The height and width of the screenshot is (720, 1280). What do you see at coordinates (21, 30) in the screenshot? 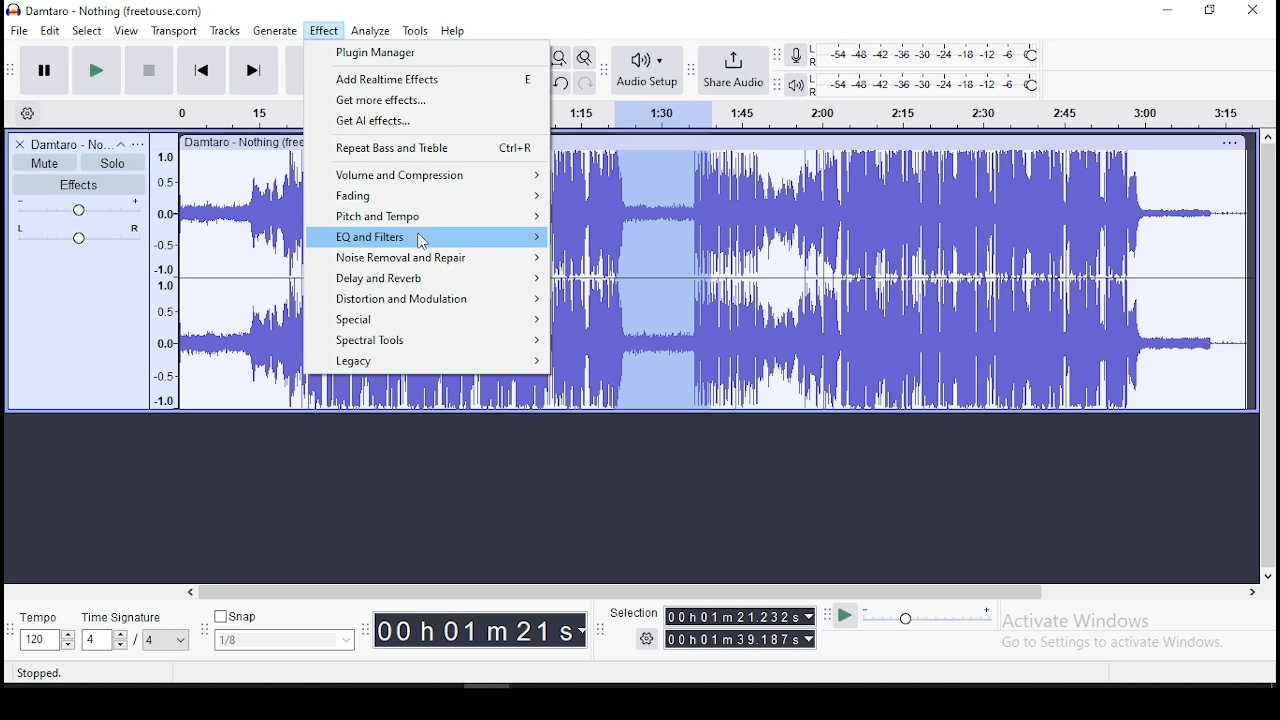
I see `file` at bounding box center [21, 30].